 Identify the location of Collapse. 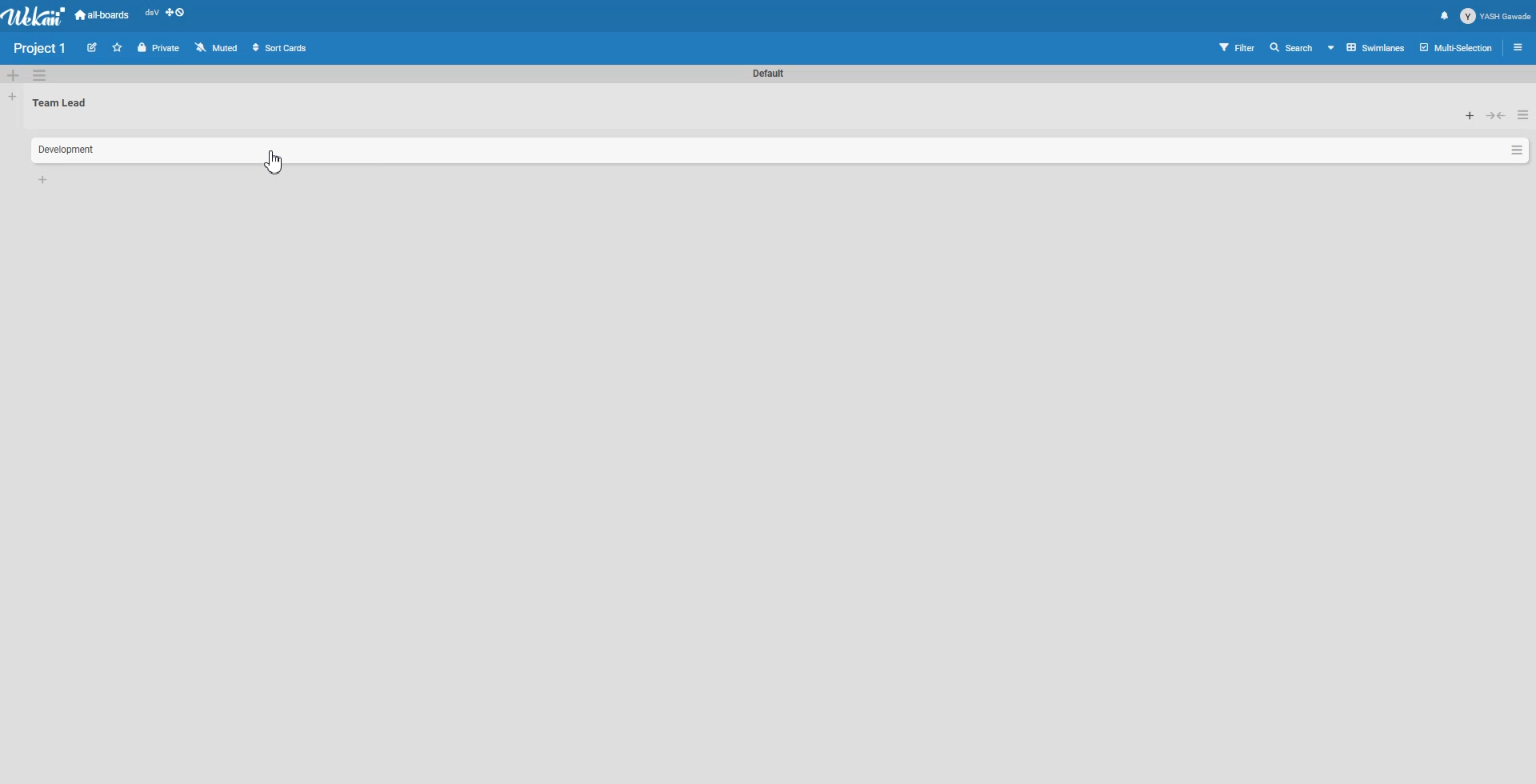
(1496, 116).